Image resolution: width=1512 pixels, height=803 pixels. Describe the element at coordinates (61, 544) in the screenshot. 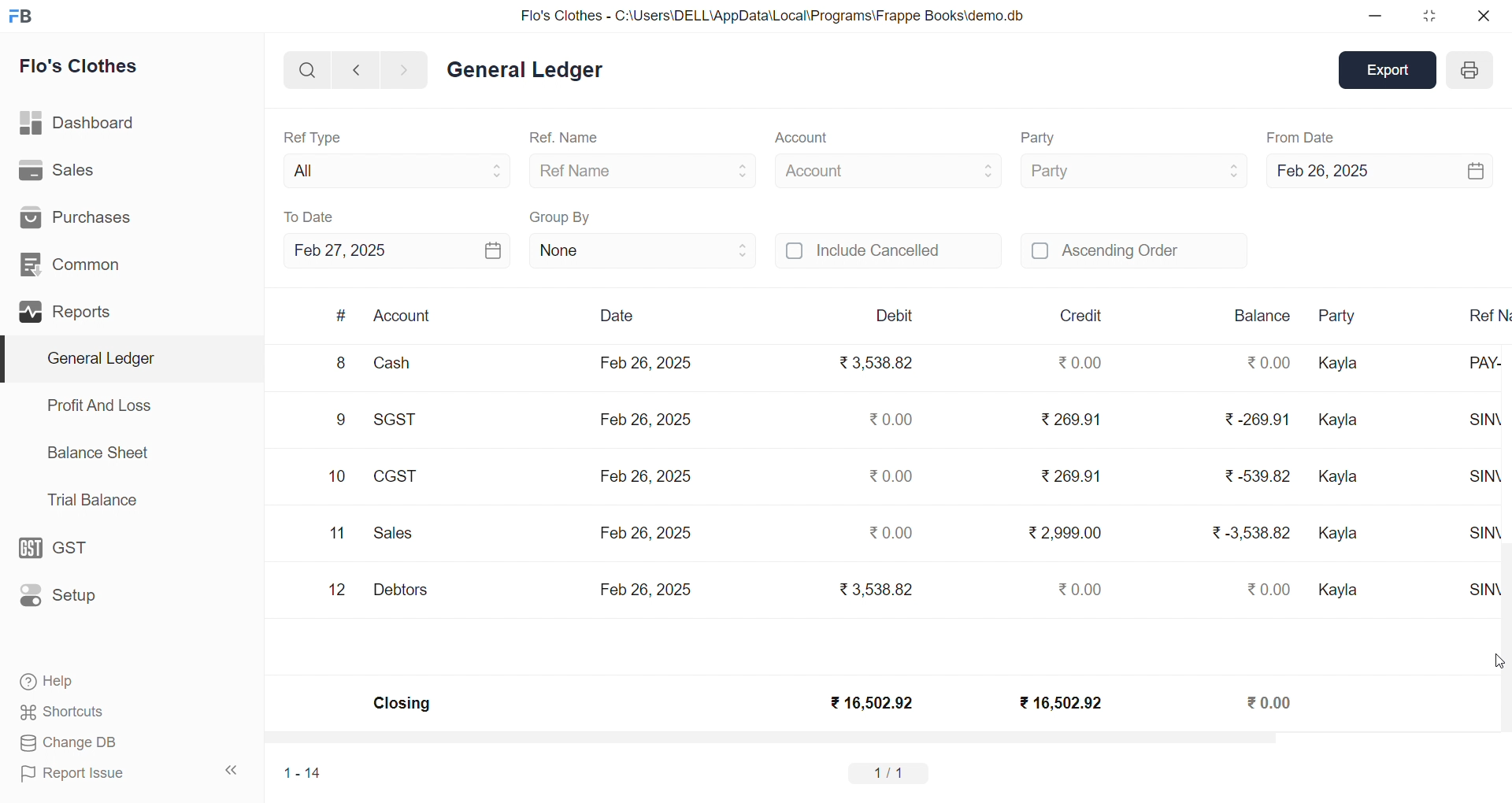

I see `GST` at that location.